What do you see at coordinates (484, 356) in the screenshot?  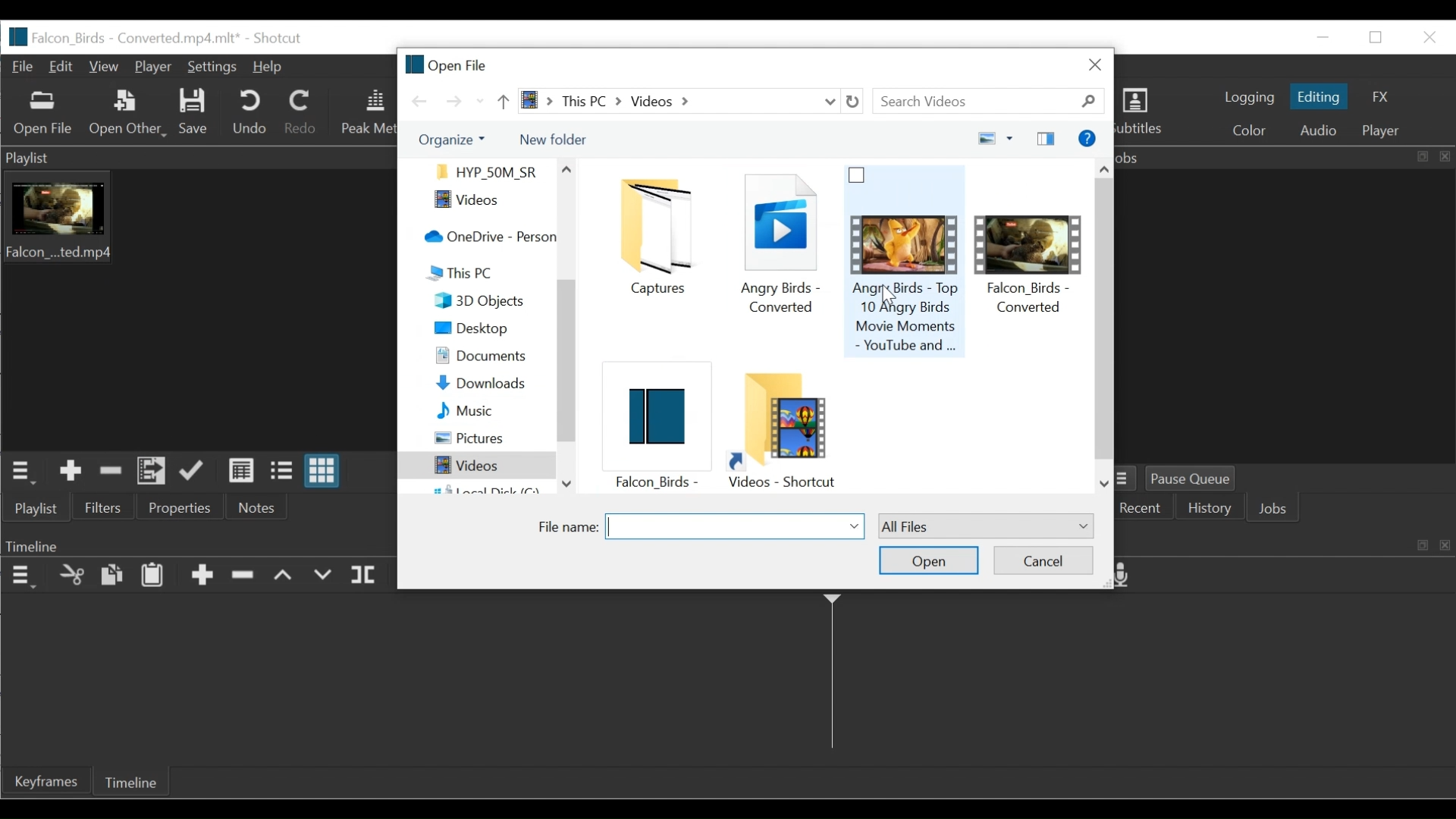 I see `Documents` at bounding box center [484, 356].